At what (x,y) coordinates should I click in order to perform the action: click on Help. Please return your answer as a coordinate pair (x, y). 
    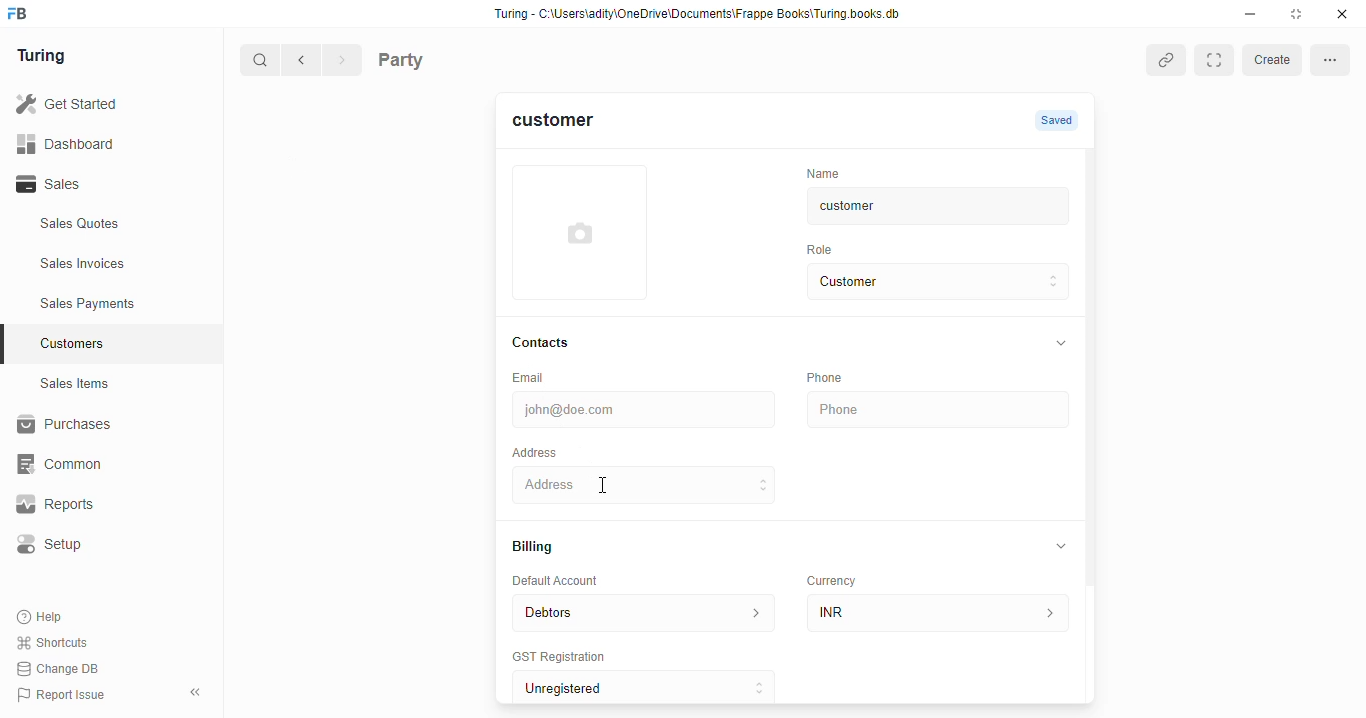
    Looking at the image, I should click on (42, 618).